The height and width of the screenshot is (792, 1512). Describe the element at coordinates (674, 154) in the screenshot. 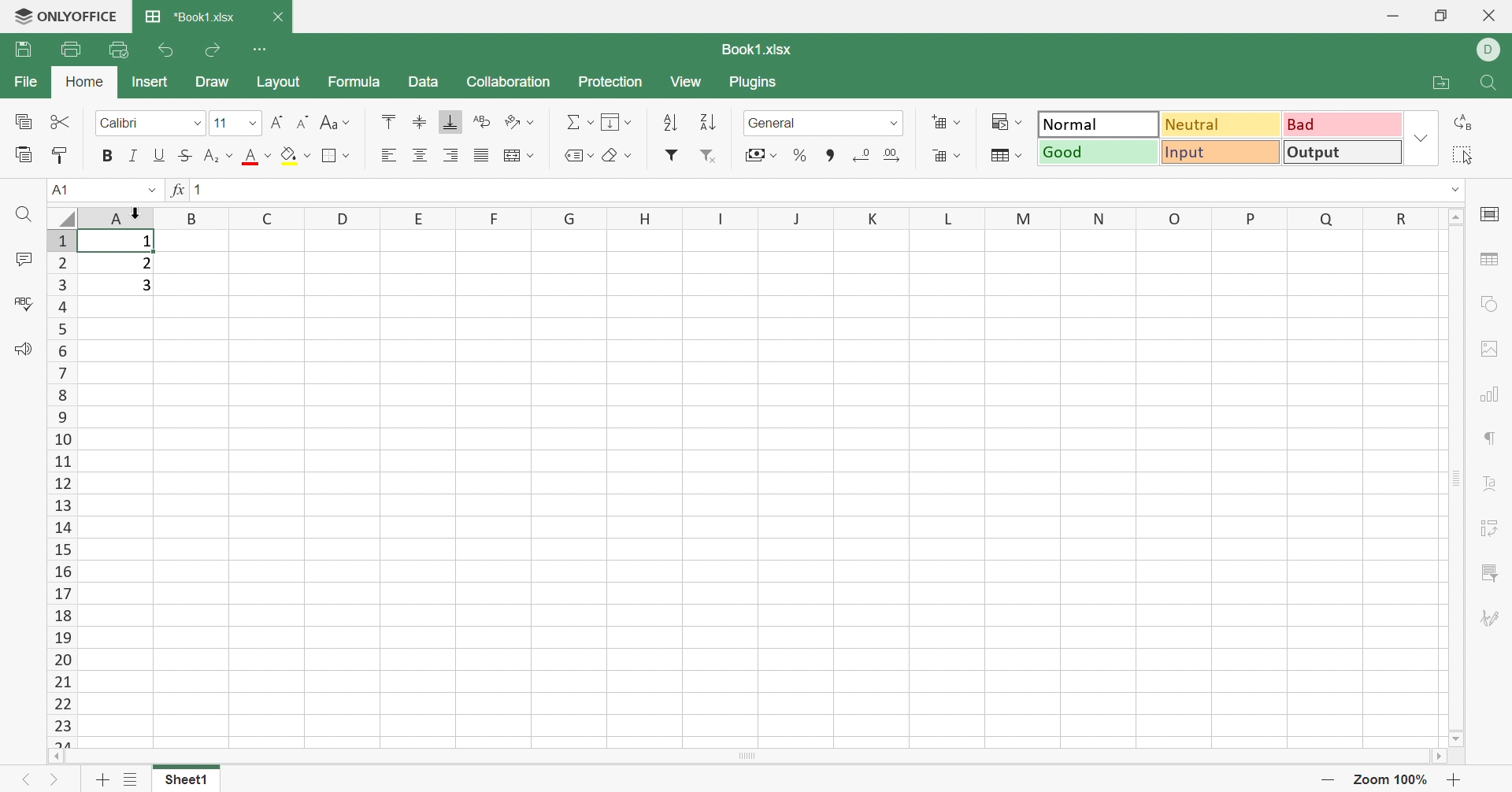

I see `Filter` at that location.